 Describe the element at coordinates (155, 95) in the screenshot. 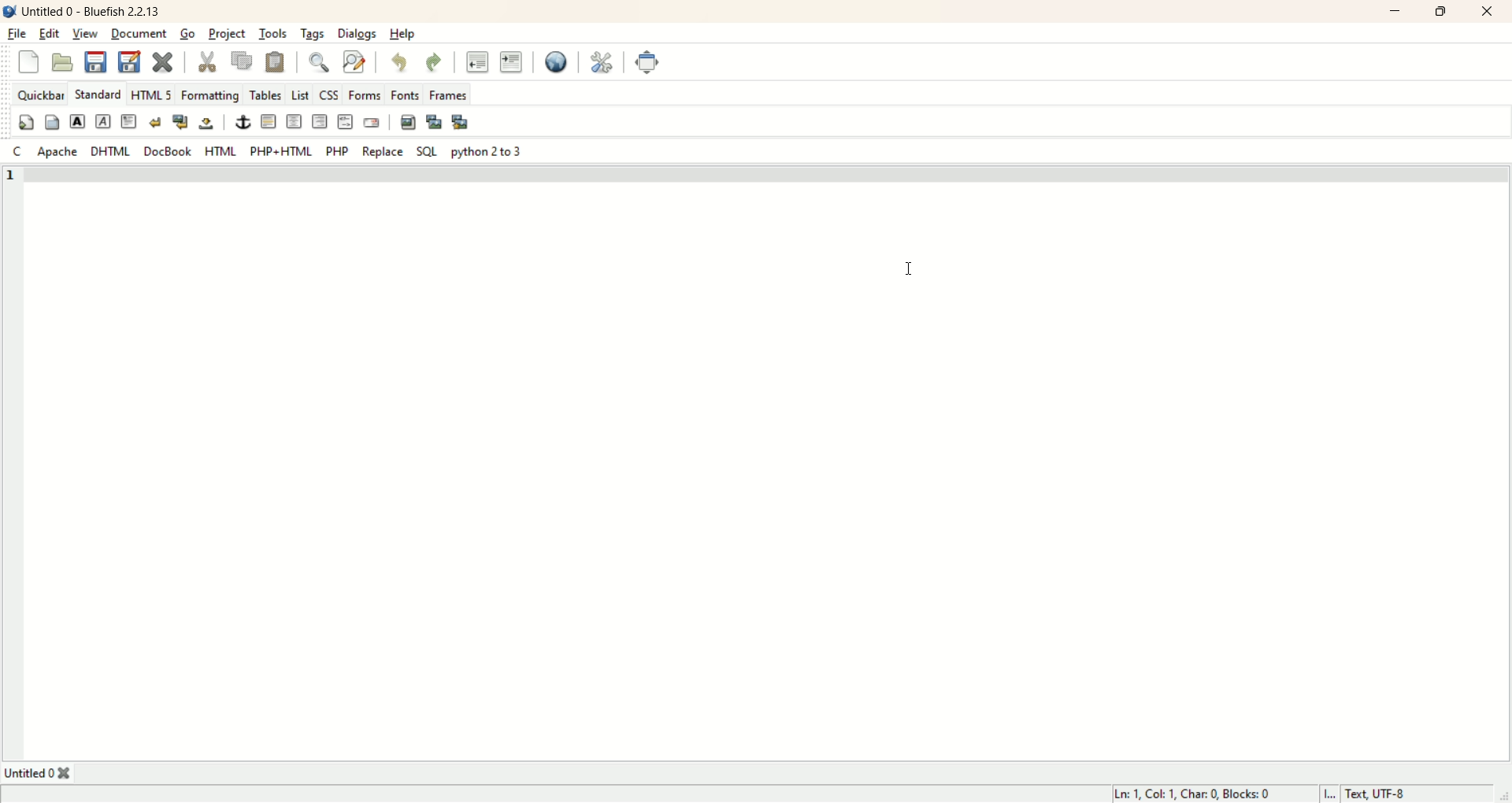

I see `HTML 5` at that location.